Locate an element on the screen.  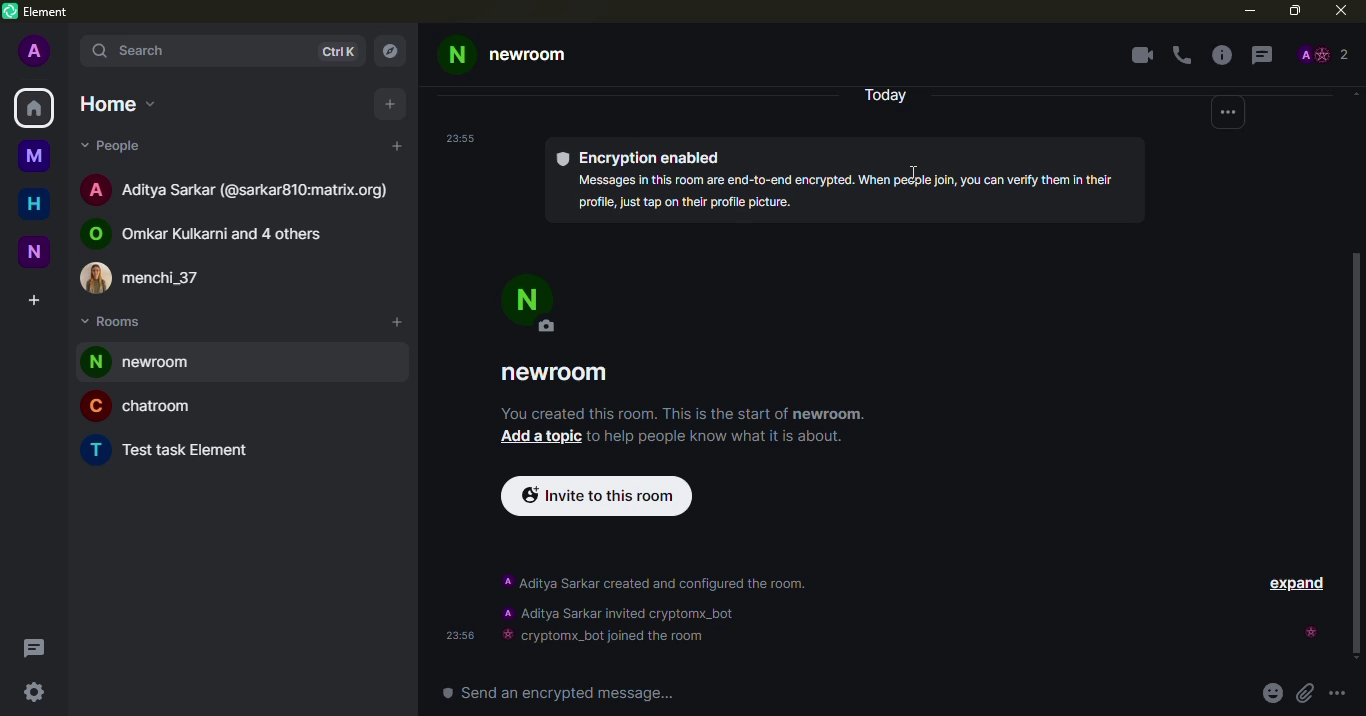
encryption enabled is located at coordinates (646, 157).